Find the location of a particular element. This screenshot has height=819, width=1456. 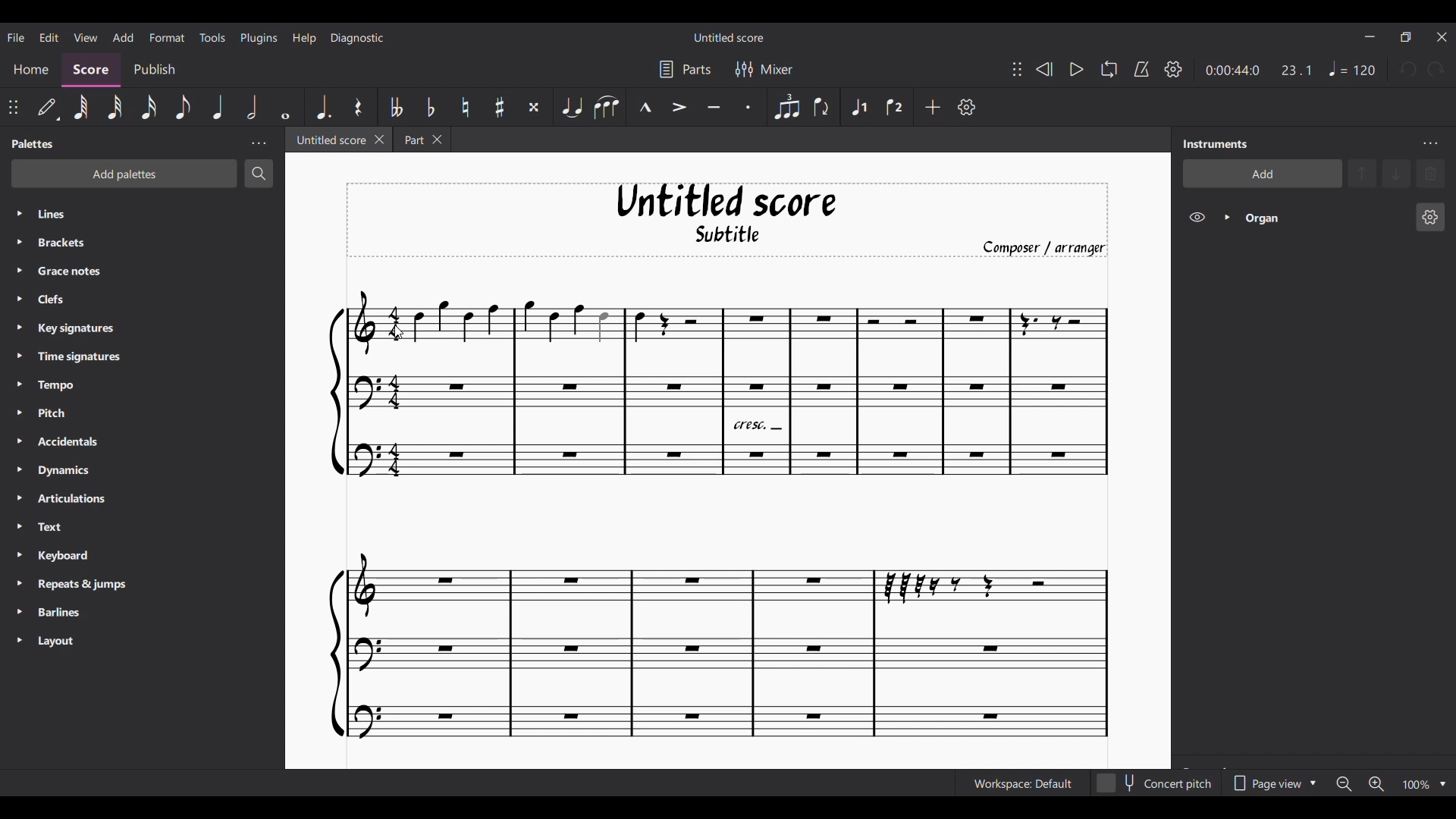

Staccato is located at coordinates (749, 107).